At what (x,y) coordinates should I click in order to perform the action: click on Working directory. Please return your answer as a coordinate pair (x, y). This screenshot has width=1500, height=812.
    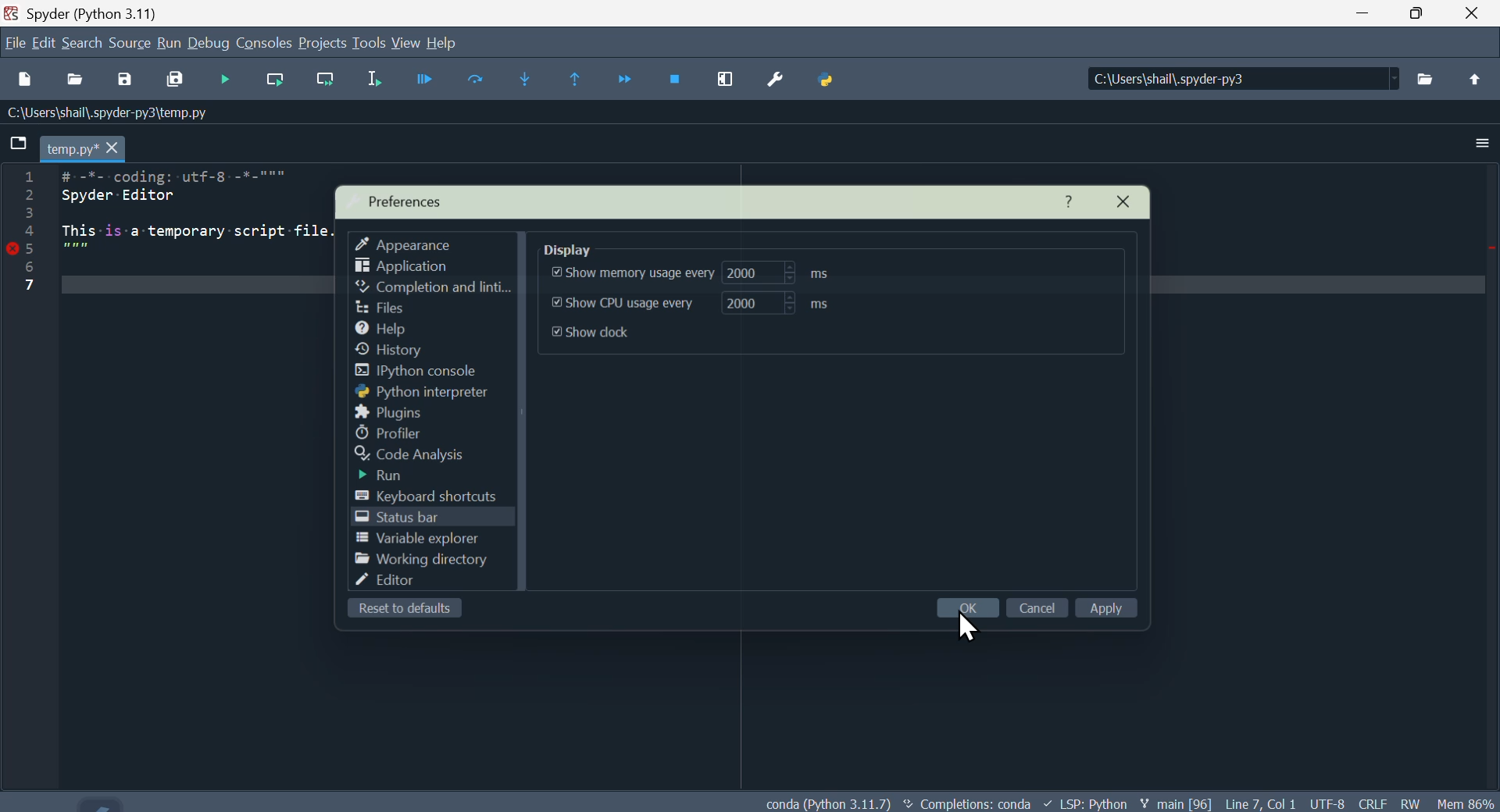
    Looking at the image, I should click on (416, 561).